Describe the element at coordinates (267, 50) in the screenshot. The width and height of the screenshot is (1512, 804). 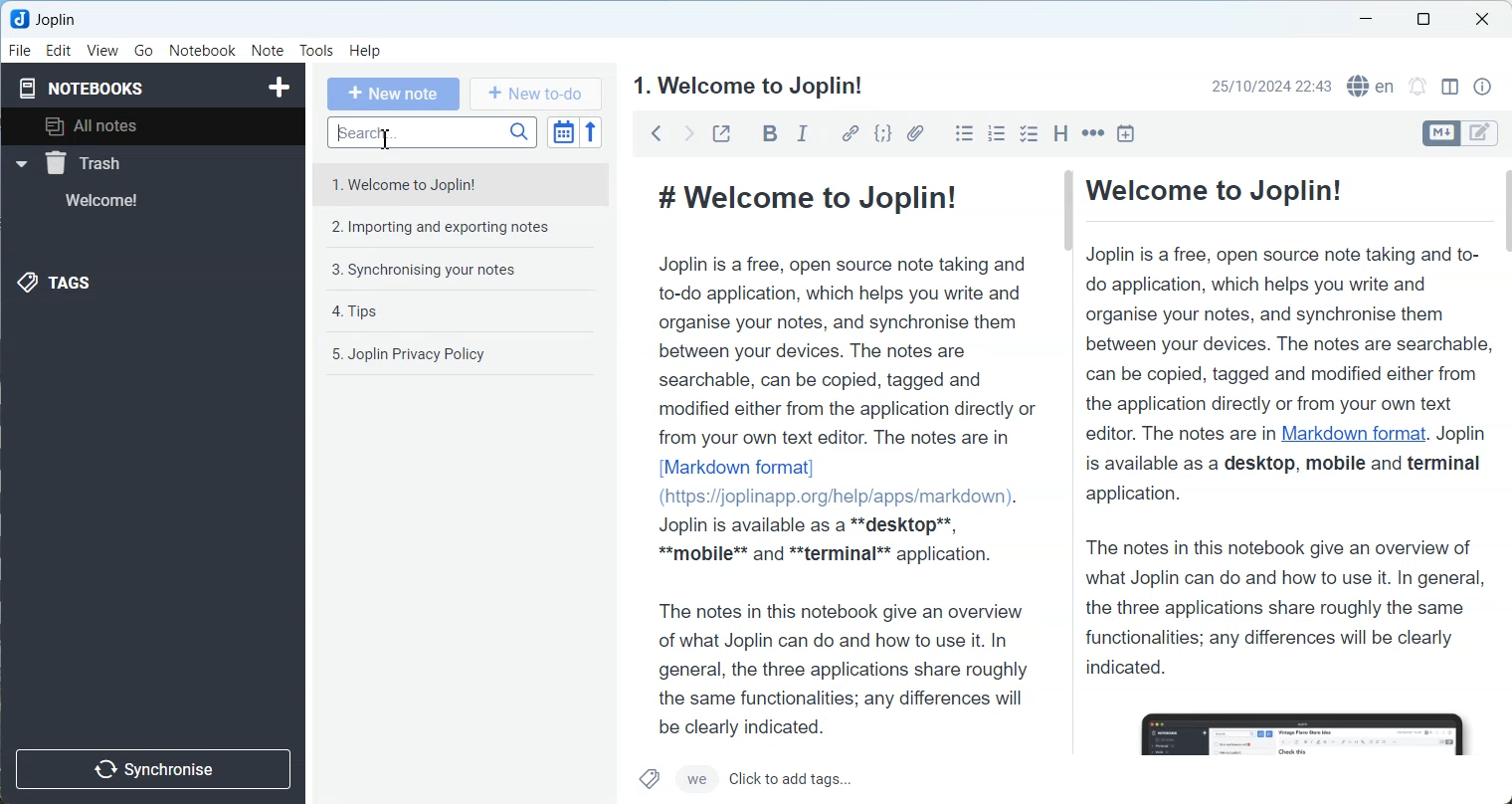
I see `Note` at that location.